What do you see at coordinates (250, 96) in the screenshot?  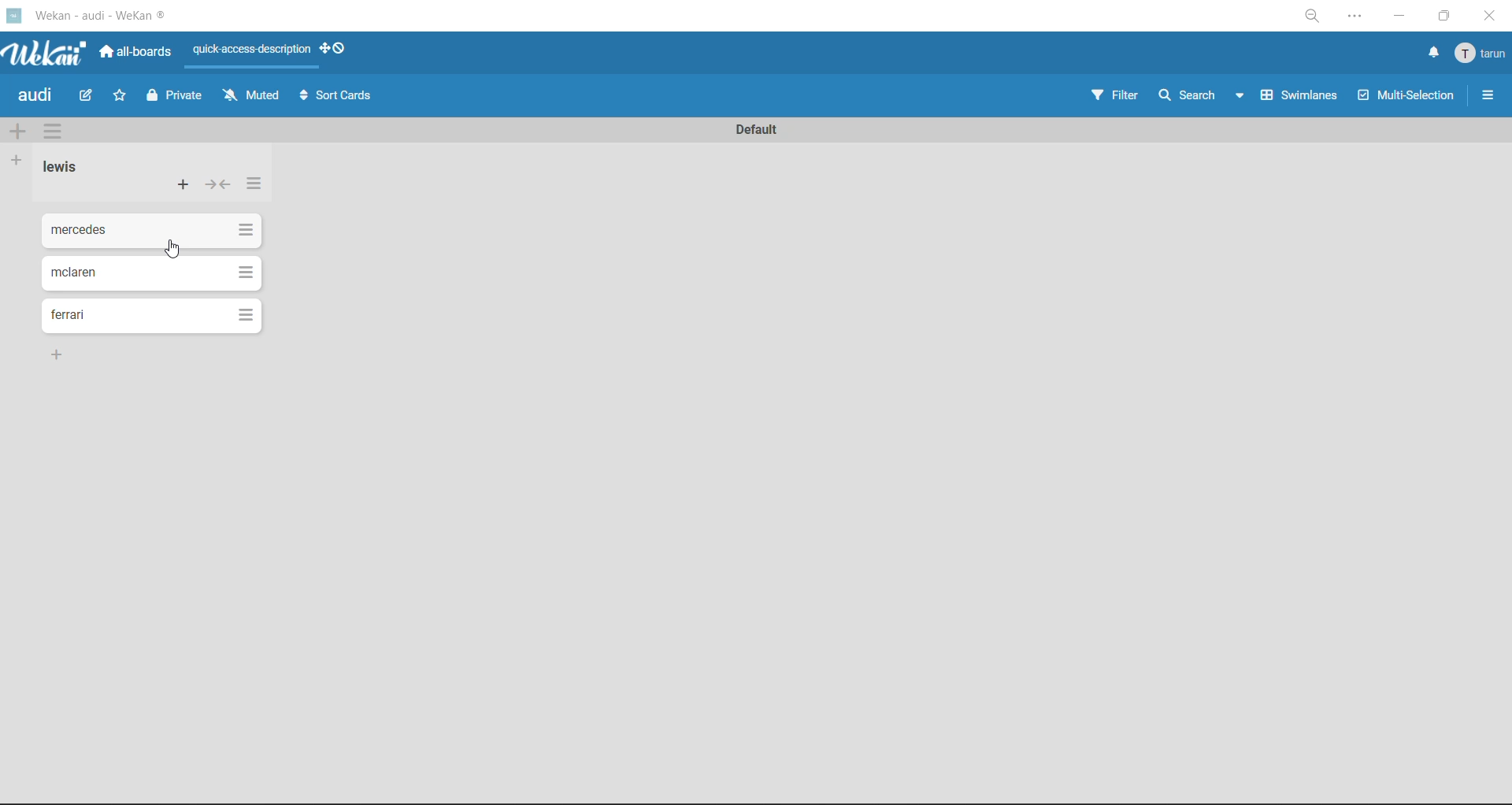 I see `muted` at bounding box center [250, 96].